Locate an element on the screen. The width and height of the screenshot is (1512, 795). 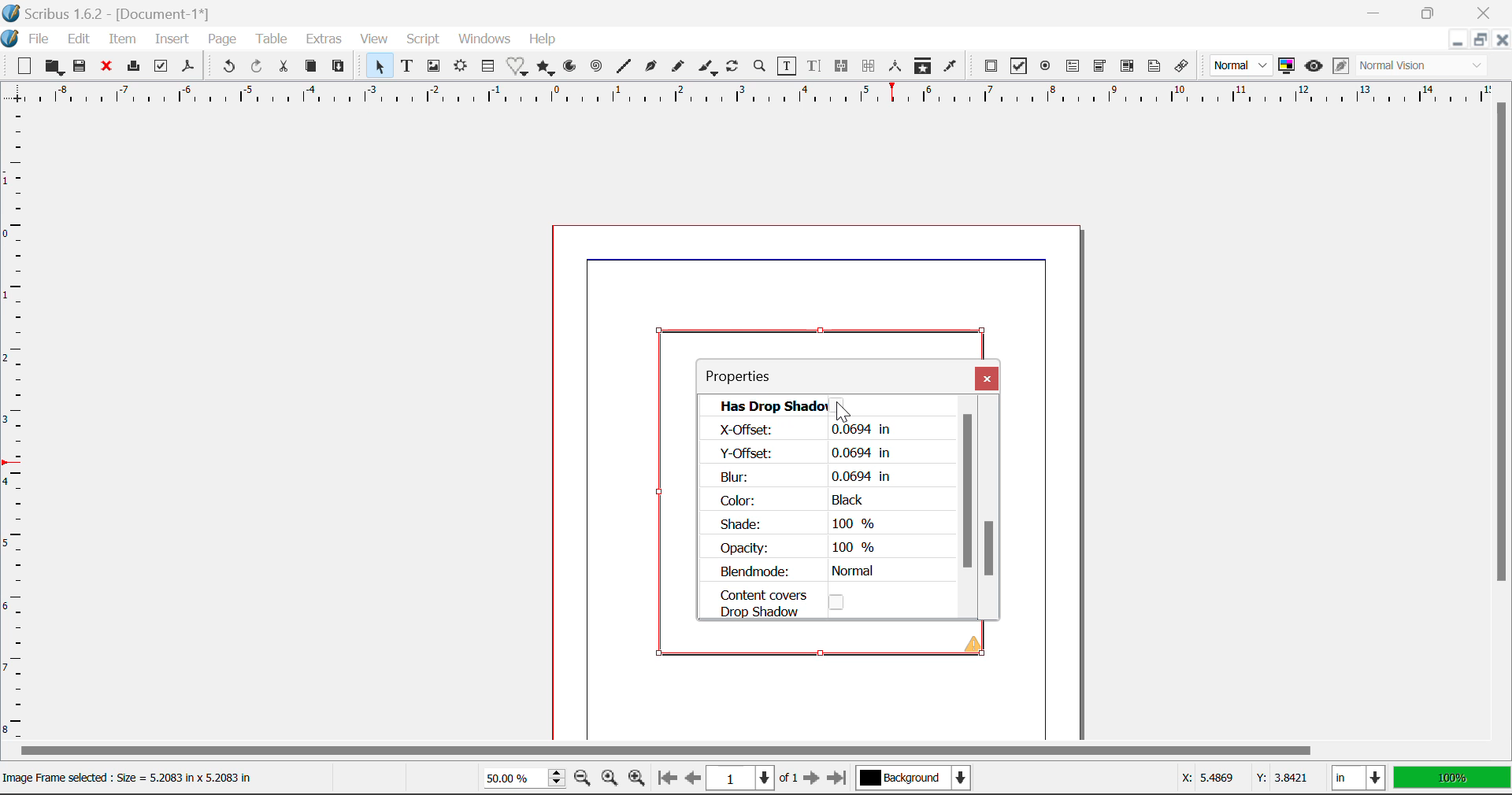
Text Annotation is located at coordinates (1154, 68).